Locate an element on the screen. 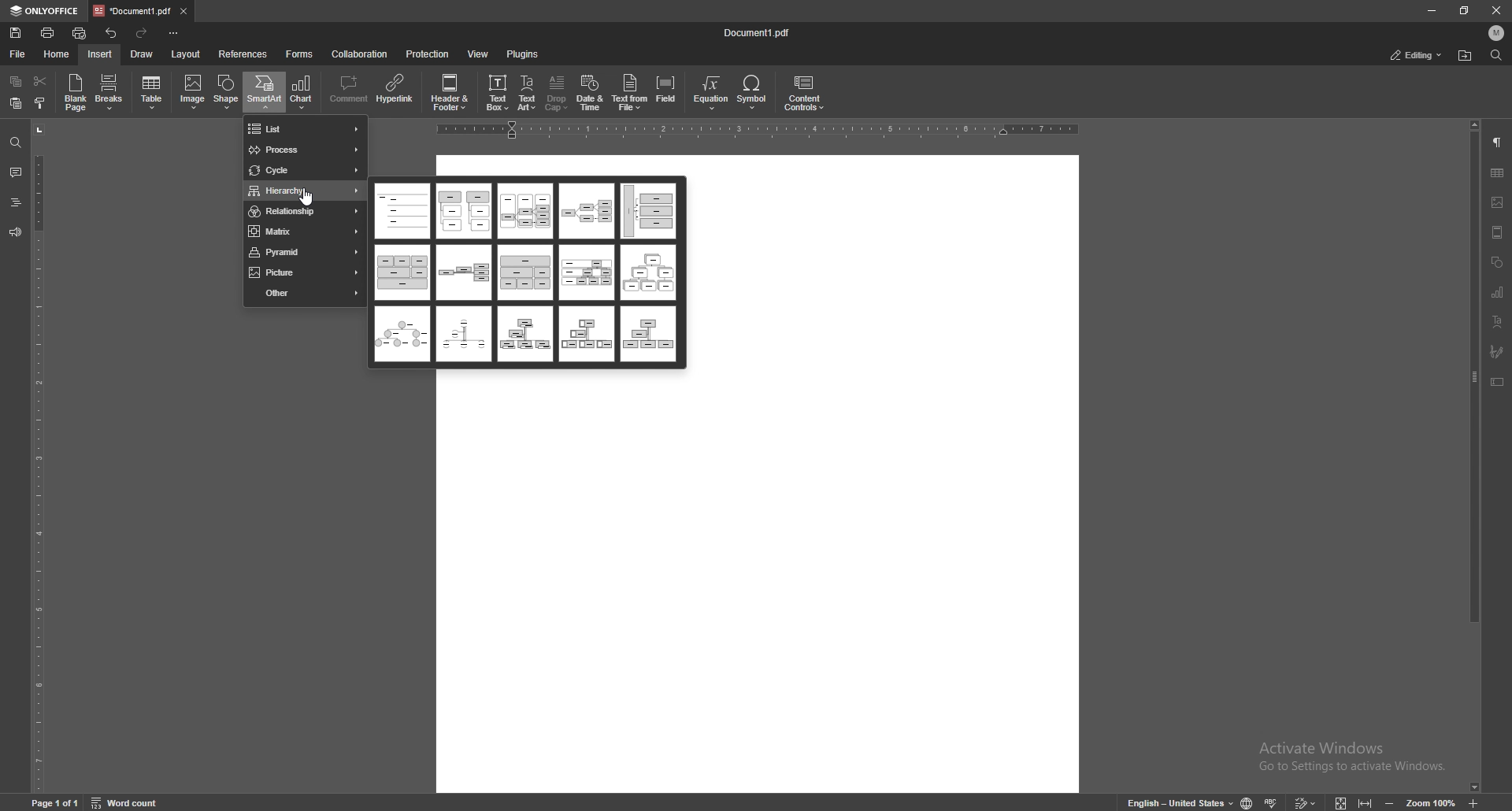 This screenshot has height=811, width=1512. hierarchy smart art is located at coordinates (524, 212).